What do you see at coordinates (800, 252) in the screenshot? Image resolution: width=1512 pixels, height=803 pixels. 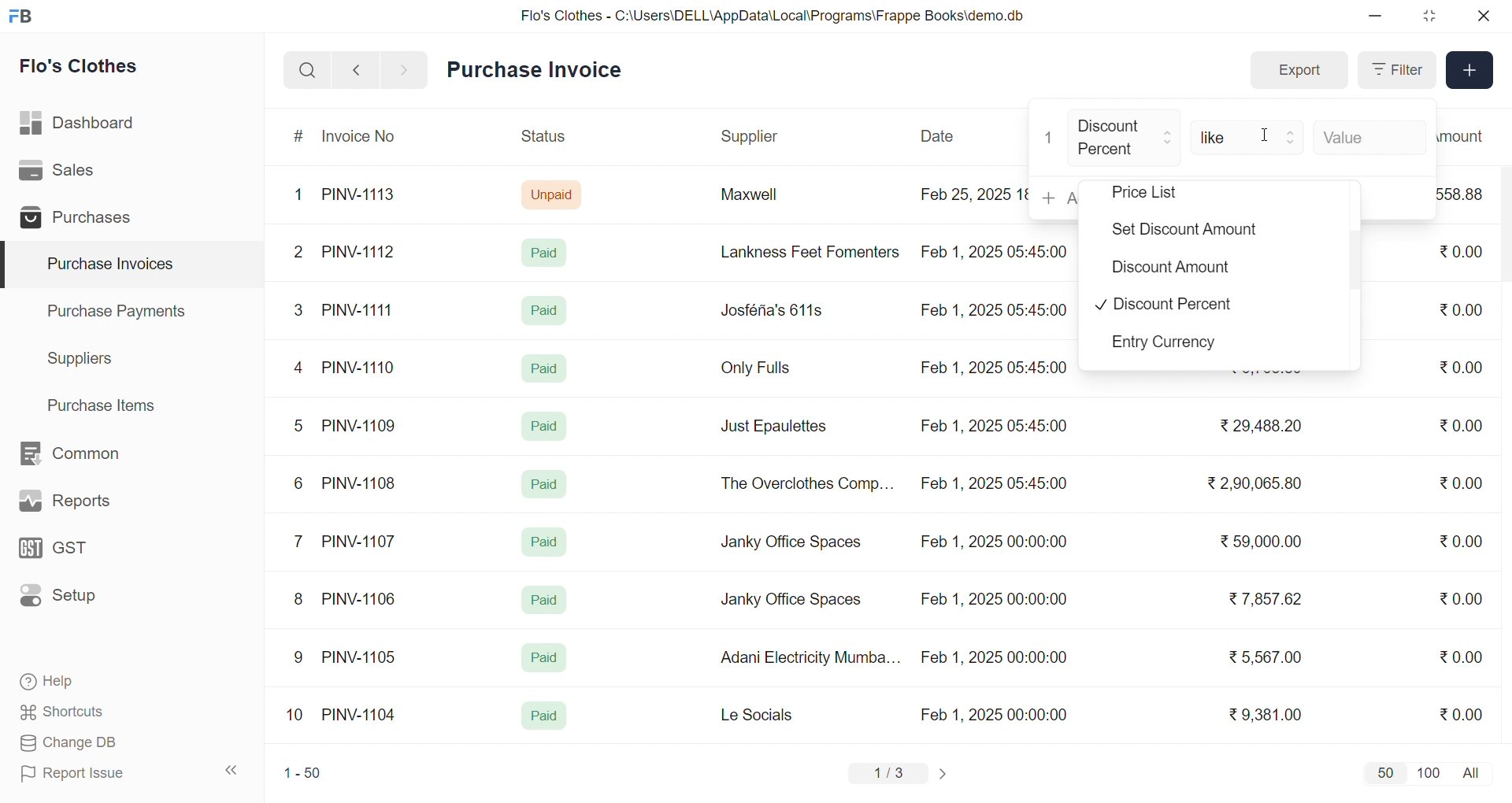 I see `Lankness Feet Fomenters` at bounding box center [800, 252].